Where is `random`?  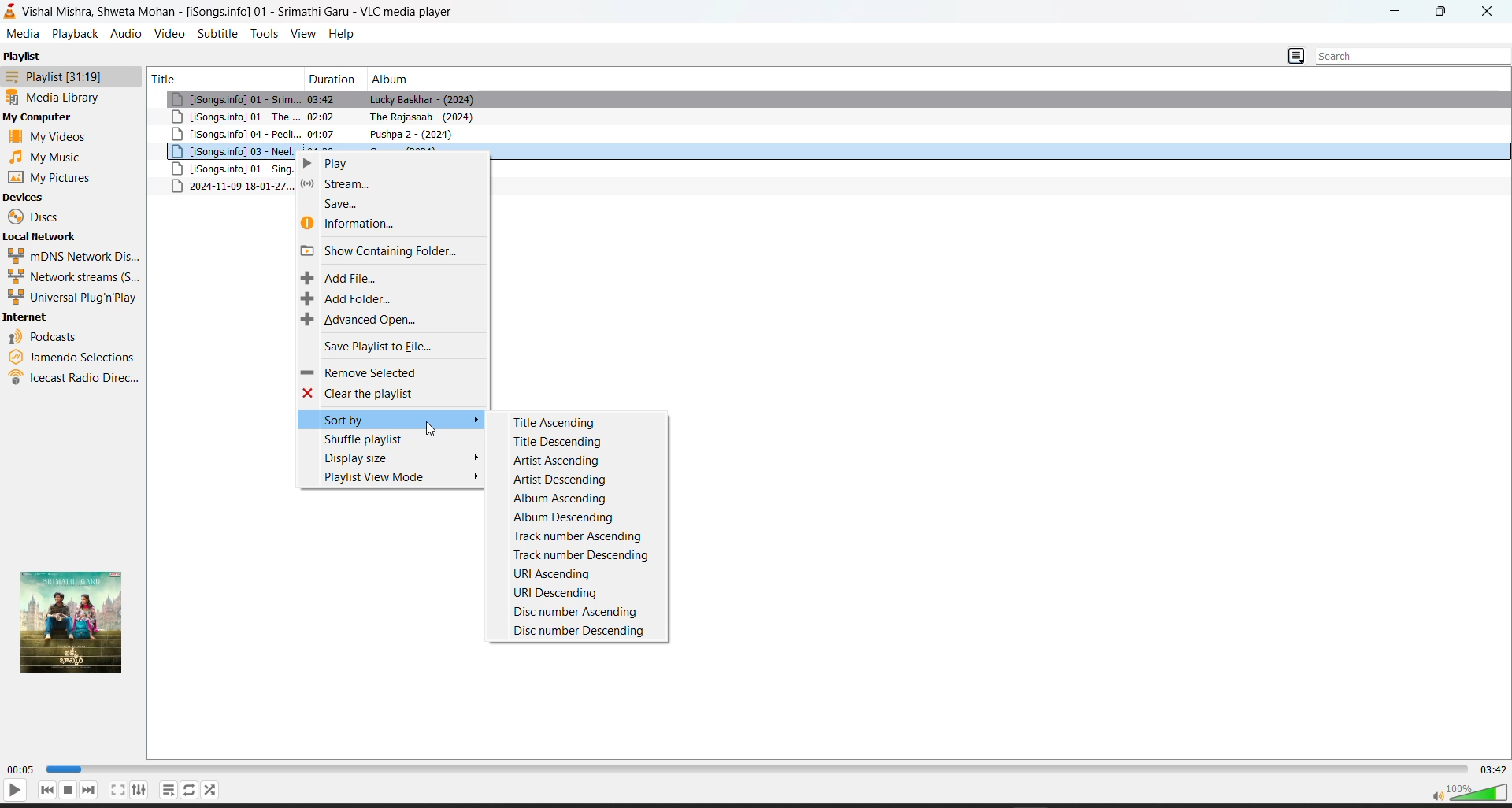 random is located at coordinates (210, 790).